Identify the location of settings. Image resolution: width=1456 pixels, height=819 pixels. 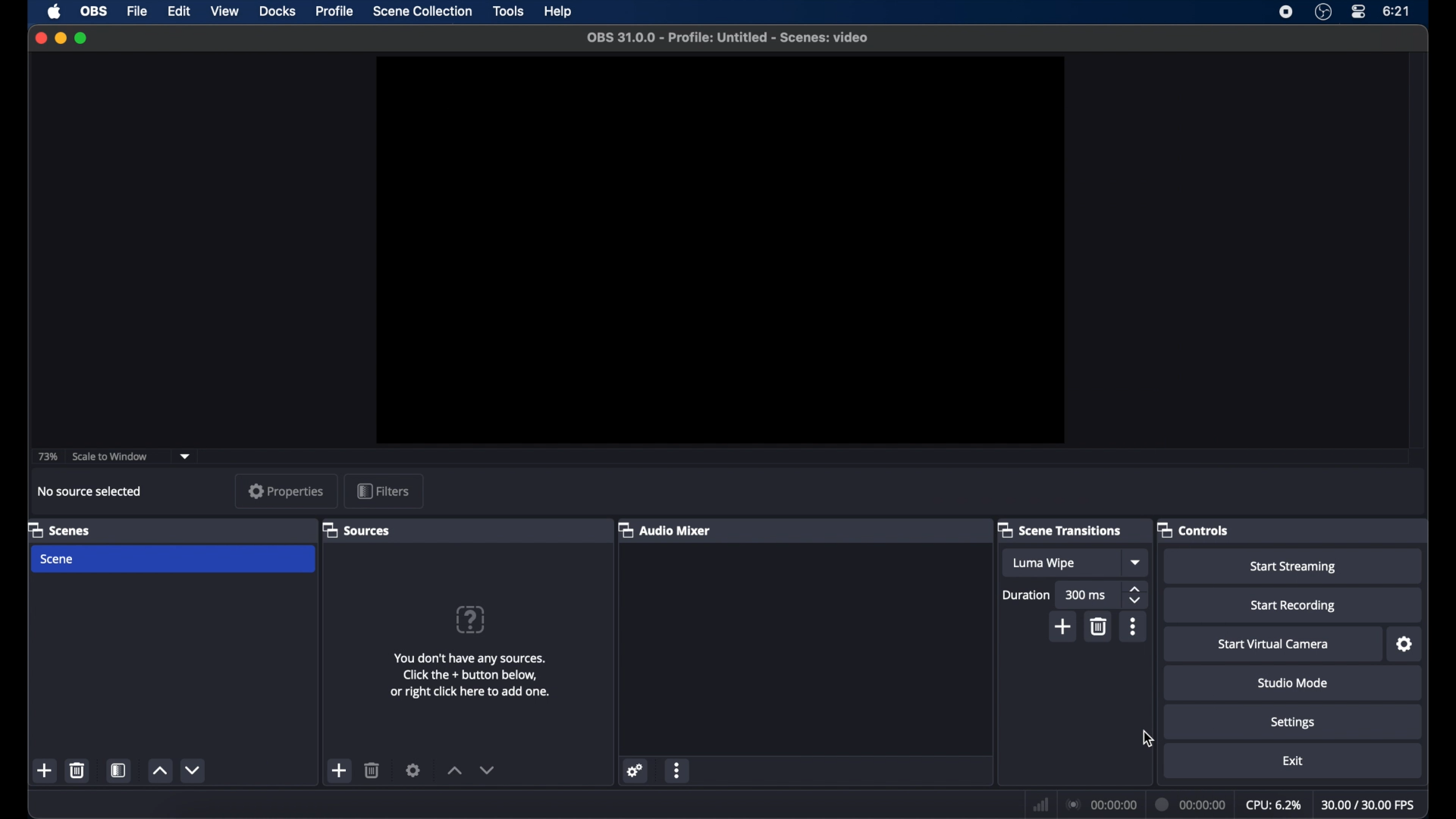
(413, 770).